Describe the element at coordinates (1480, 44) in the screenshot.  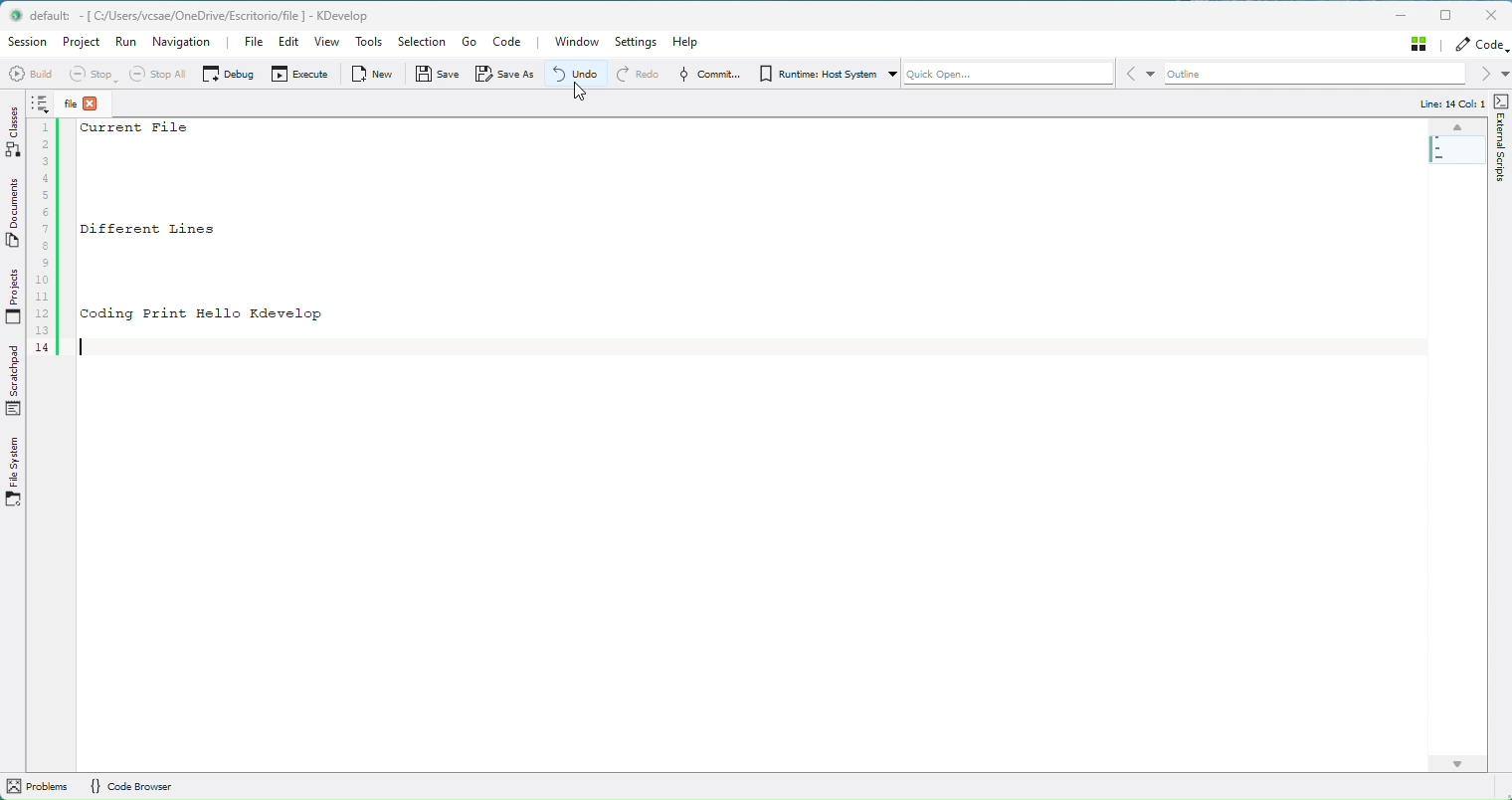
I see `Code` at that location.